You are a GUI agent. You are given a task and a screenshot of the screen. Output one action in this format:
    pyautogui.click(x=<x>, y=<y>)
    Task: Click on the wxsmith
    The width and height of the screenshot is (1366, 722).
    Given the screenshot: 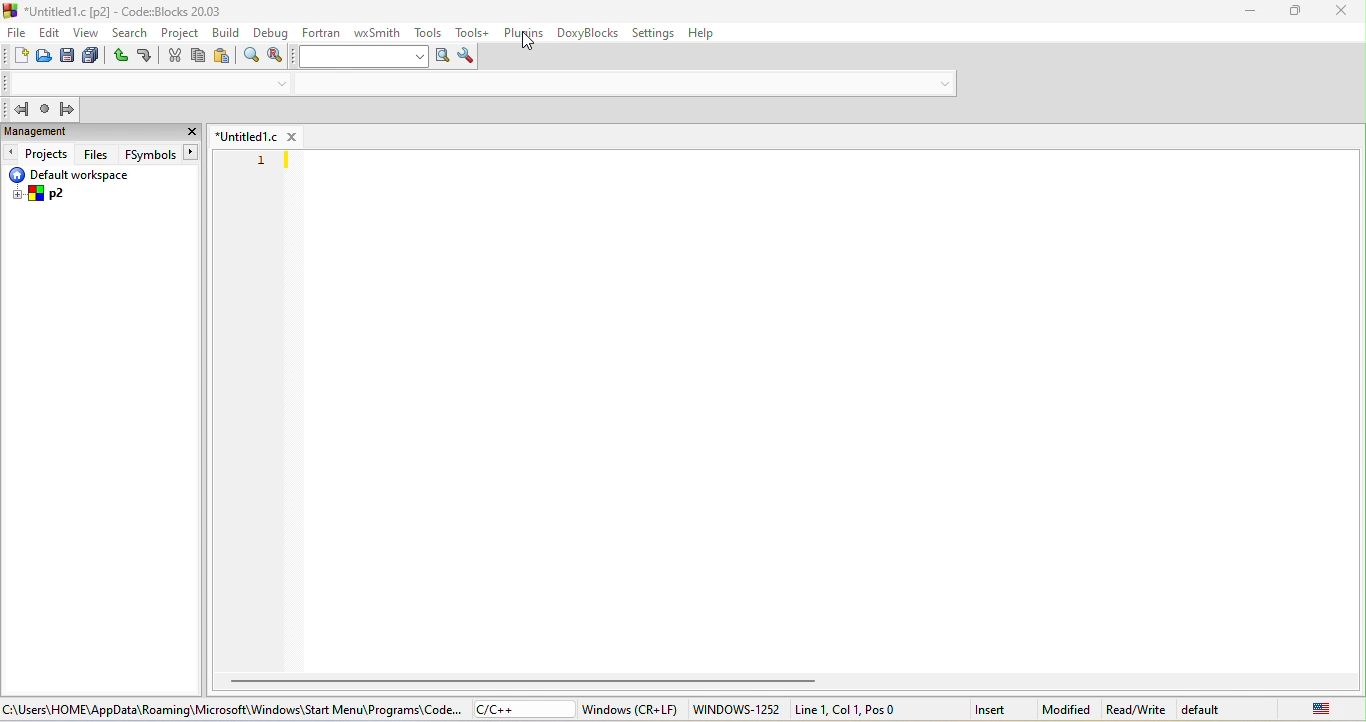 What is the action you would take?
    pyautogui.click(x=377, y=34)
    